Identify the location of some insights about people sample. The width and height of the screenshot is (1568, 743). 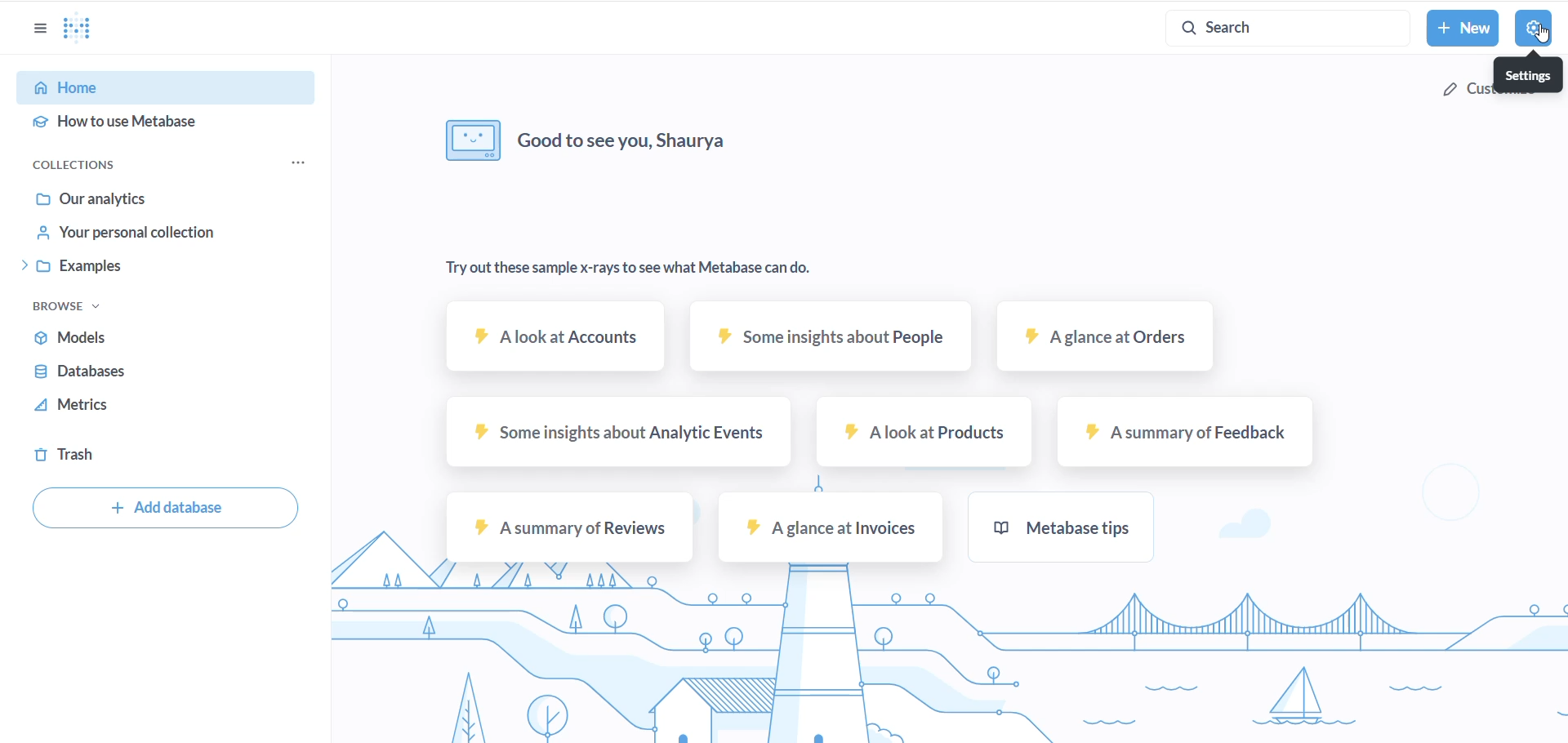
(826, 336).